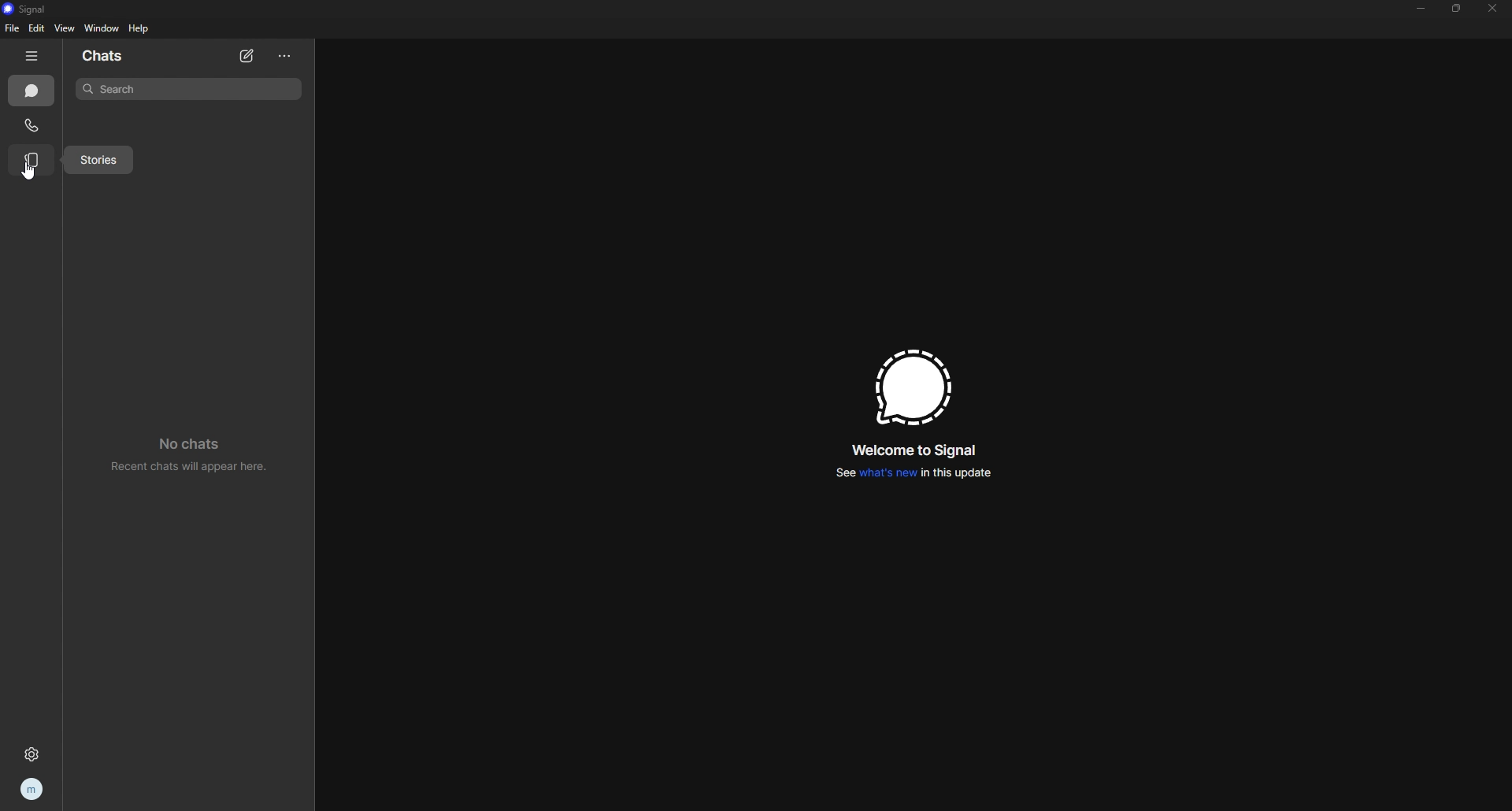  Describe the element at coordinates (140, 28) in the screenshot. I see `help` at that location.